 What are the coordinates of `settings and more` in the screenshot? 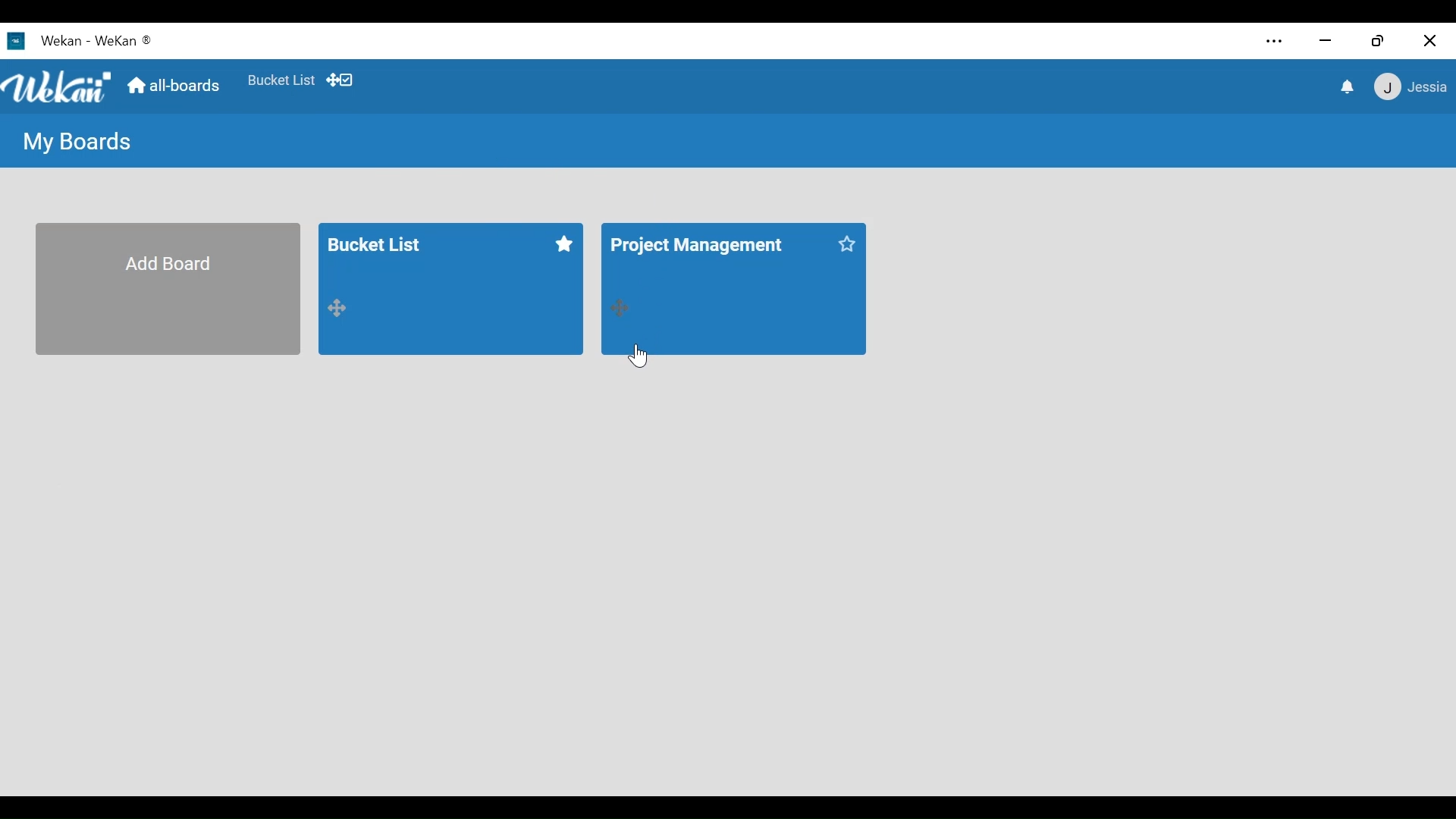 It's located at (1273, 41).